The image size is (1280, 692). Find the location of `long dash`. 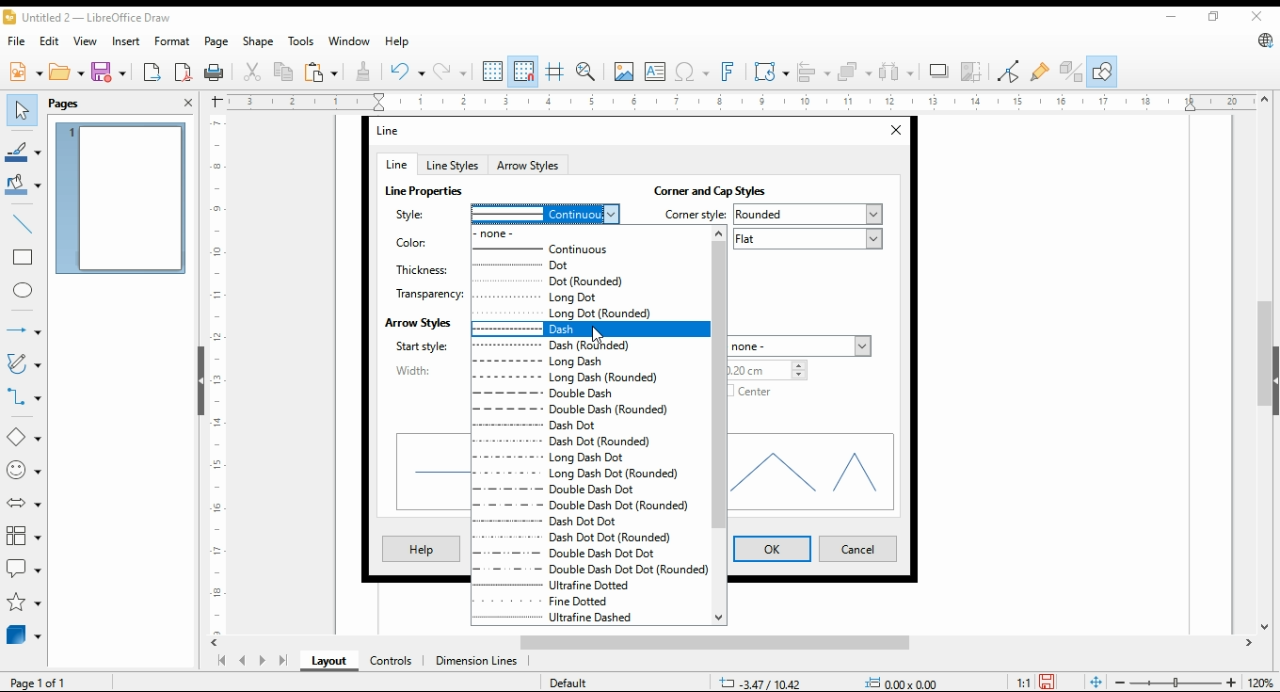

long dash is located at coordinates (588, 363).